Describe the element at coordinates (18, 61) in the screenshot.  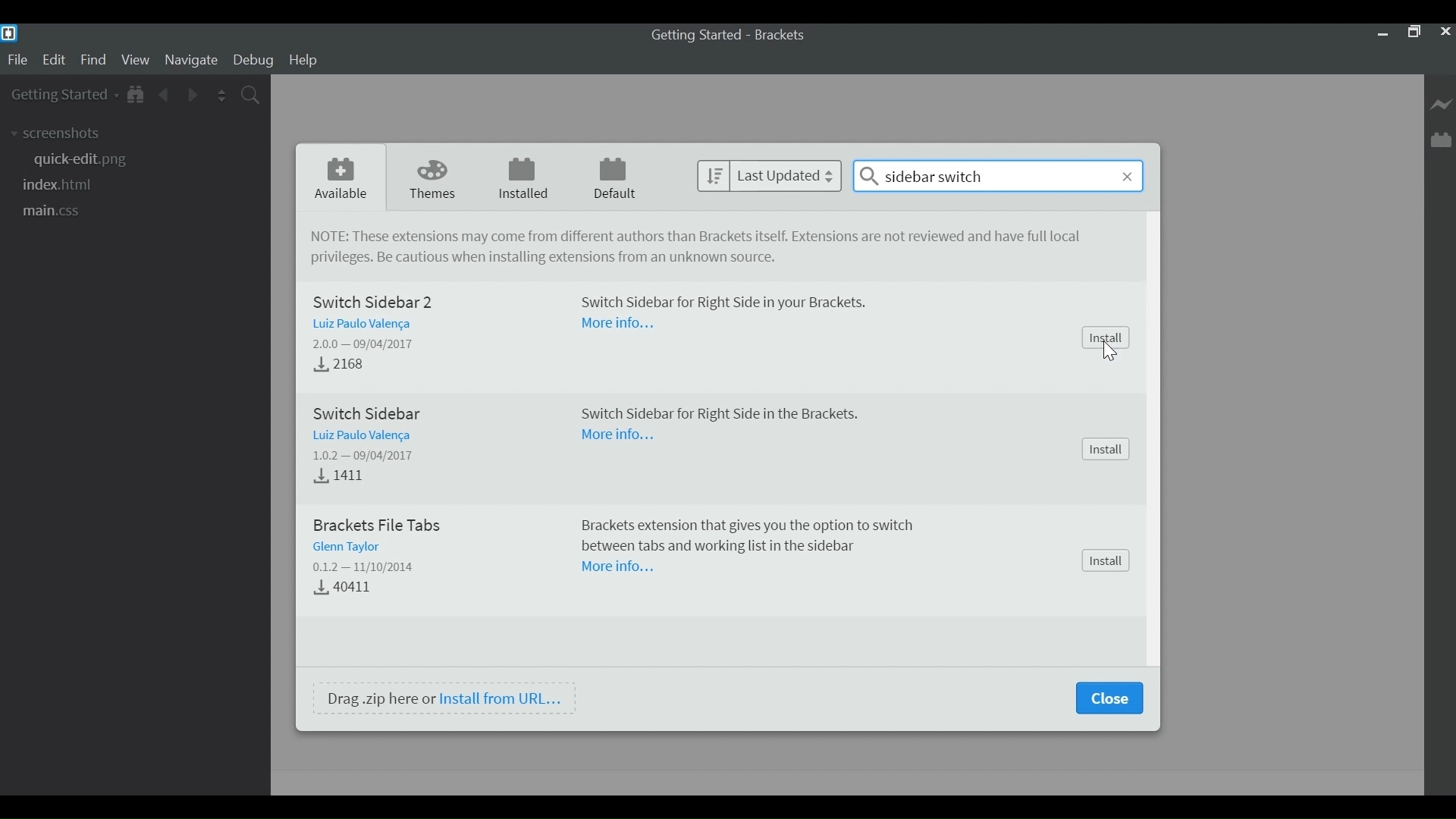
I see `File` at that location.